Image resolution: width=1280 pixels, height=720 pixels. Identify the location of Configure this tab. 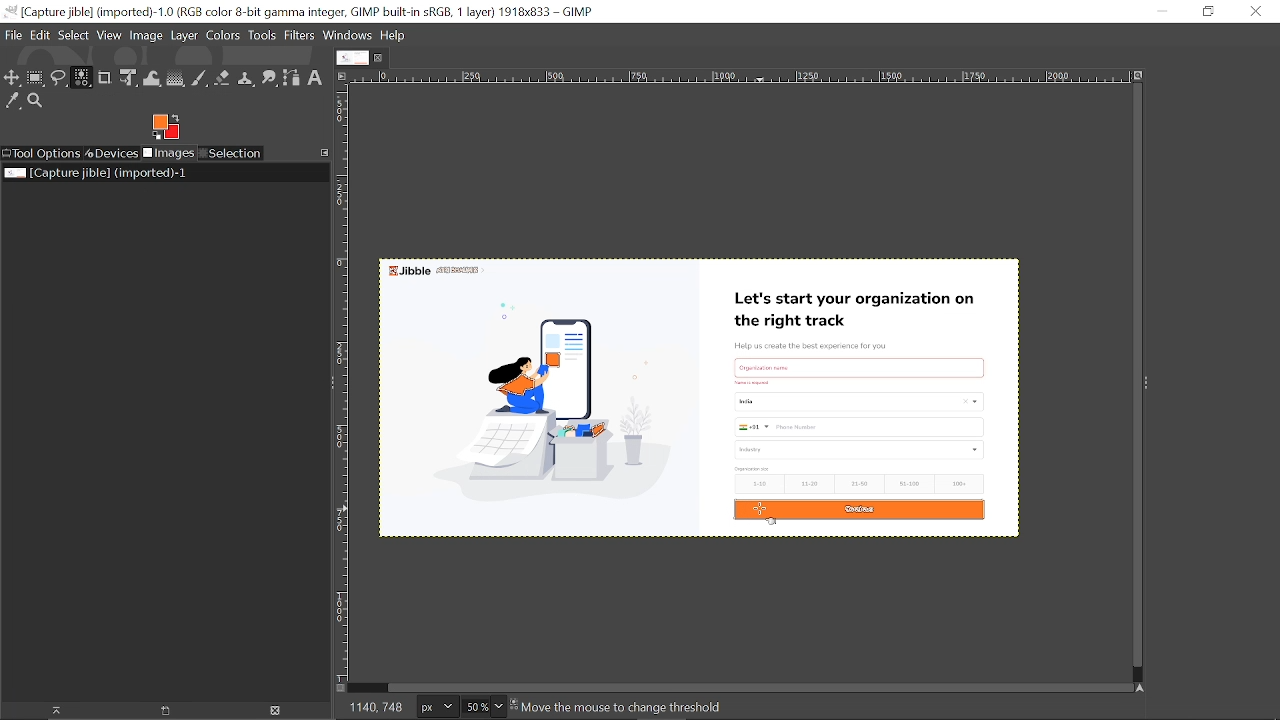
(325, 152).